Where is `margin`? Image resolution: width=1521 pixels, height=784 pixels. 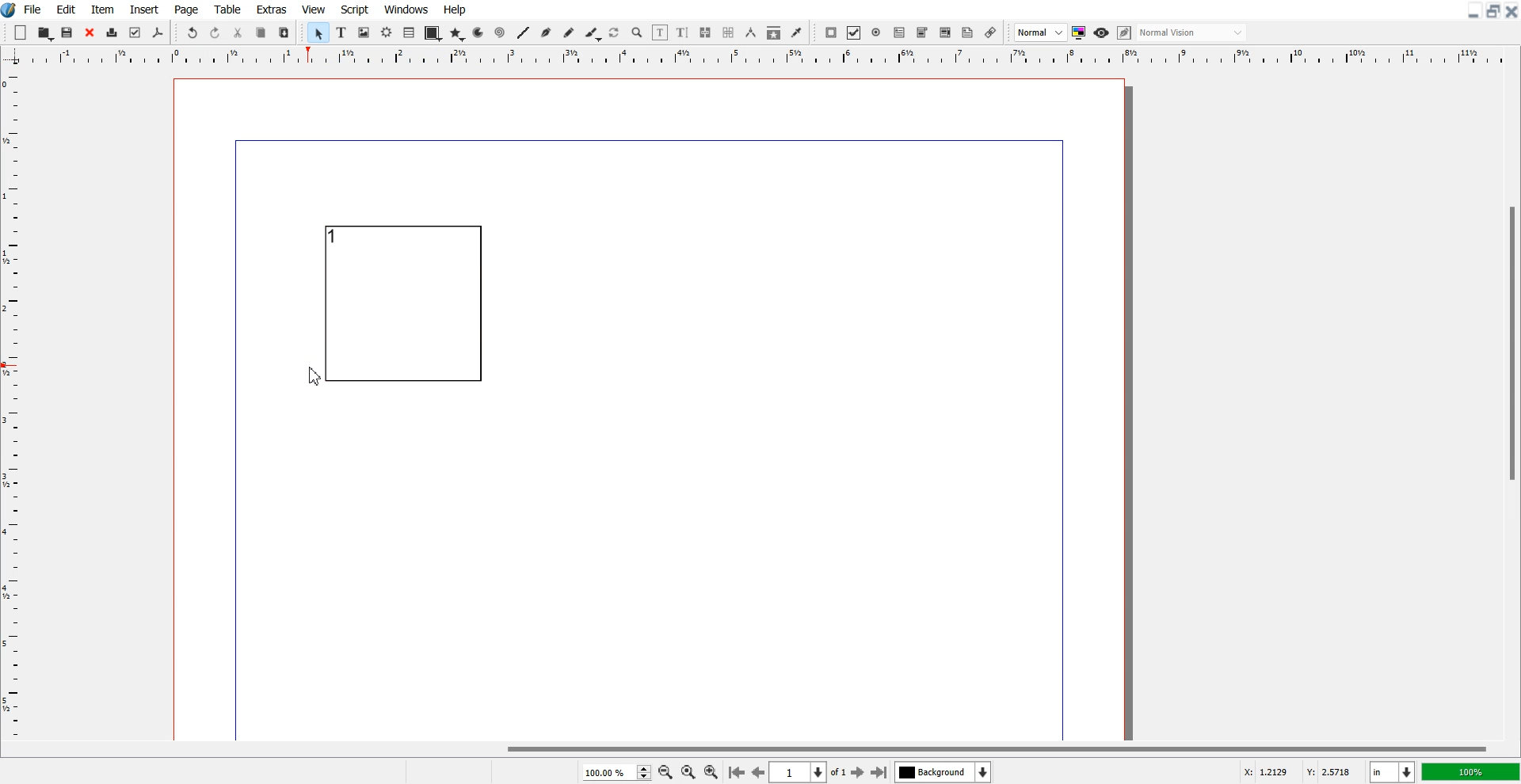
margin is located at coordinates (1065, 437).